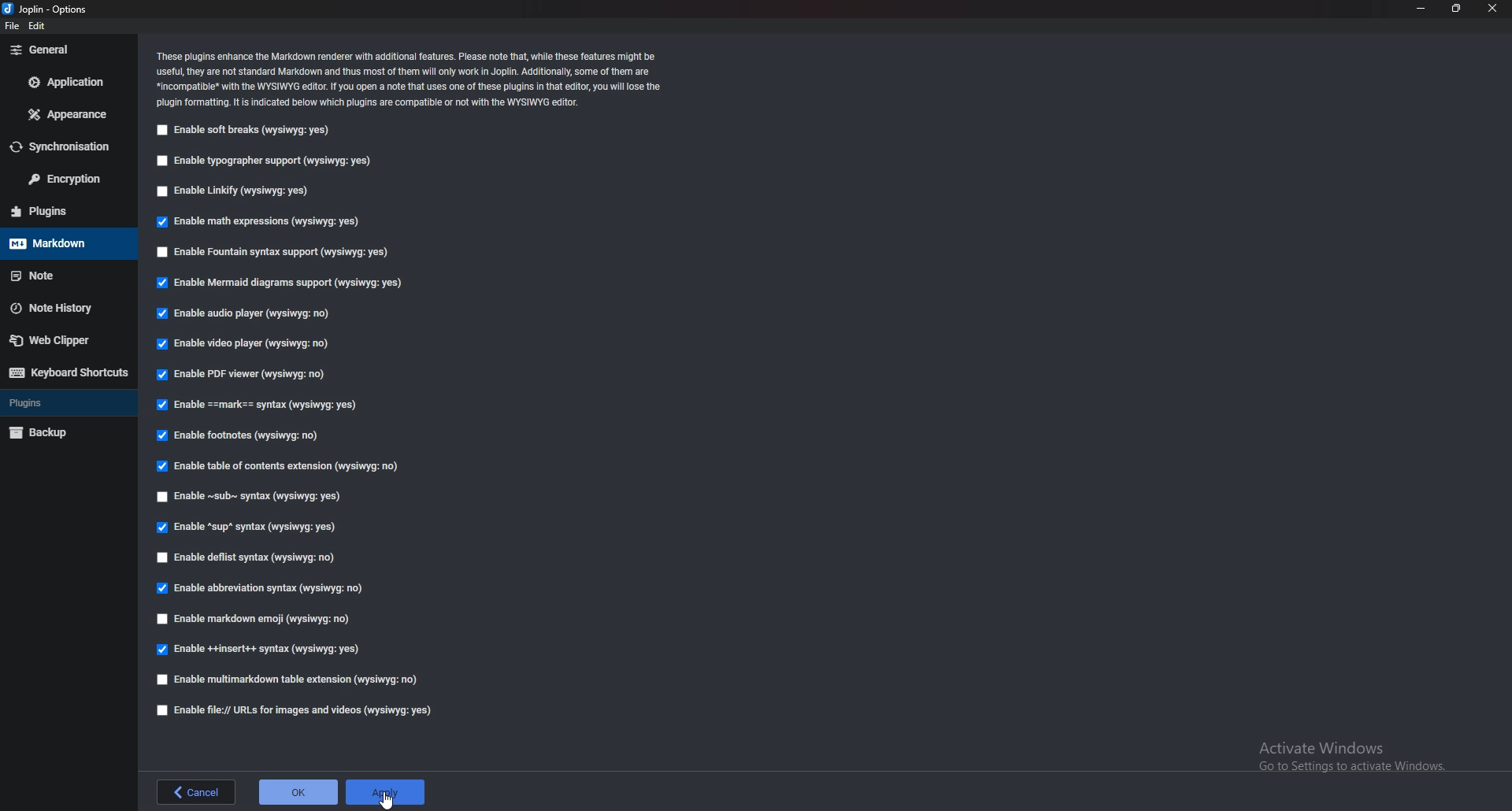 Image resolution: width=1512 pixels, height=811 pixels. I want to click on Apply, so click(386, 794).